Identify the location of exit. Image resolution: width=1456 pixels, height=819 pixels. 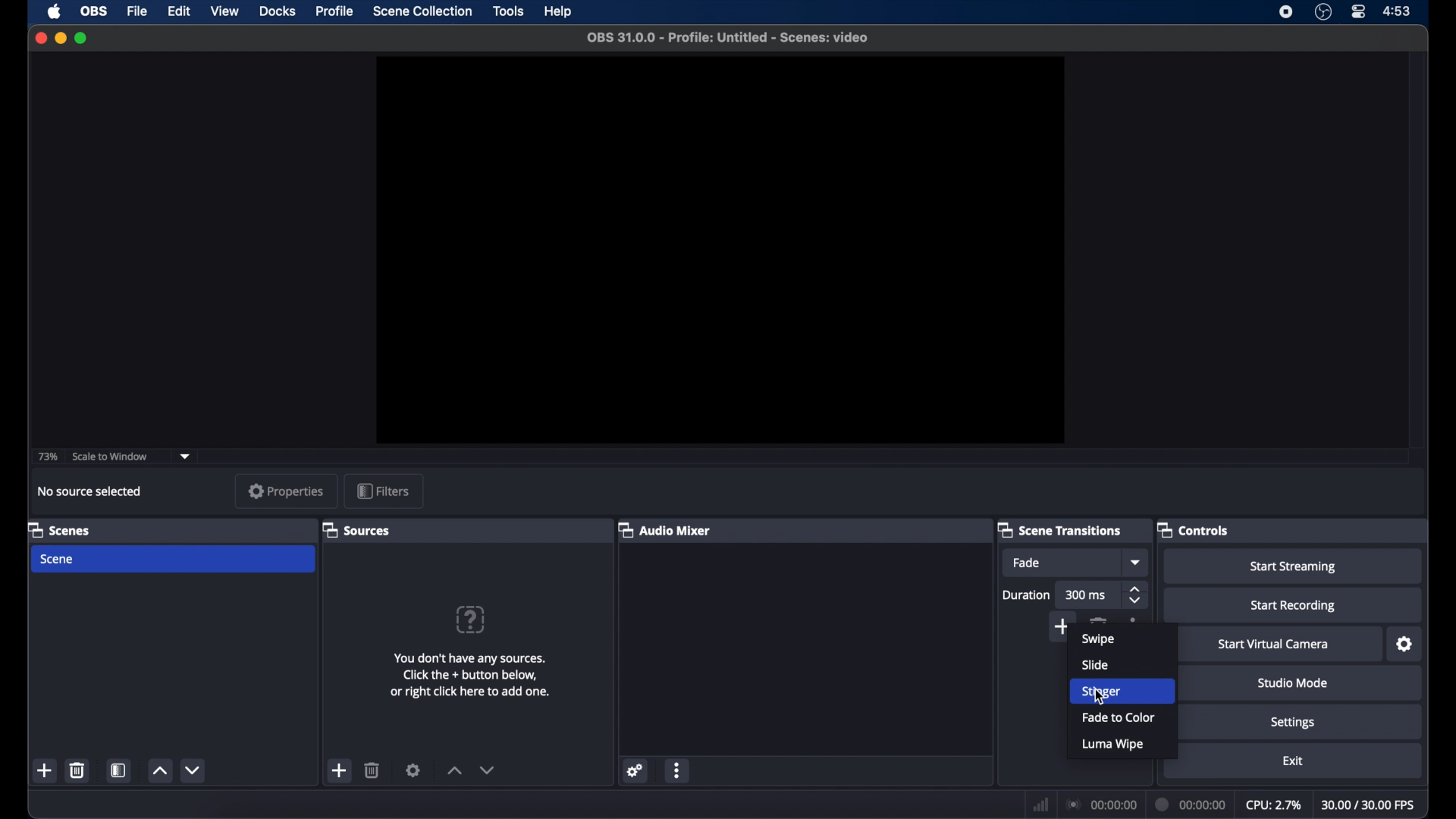
(1293, 761).